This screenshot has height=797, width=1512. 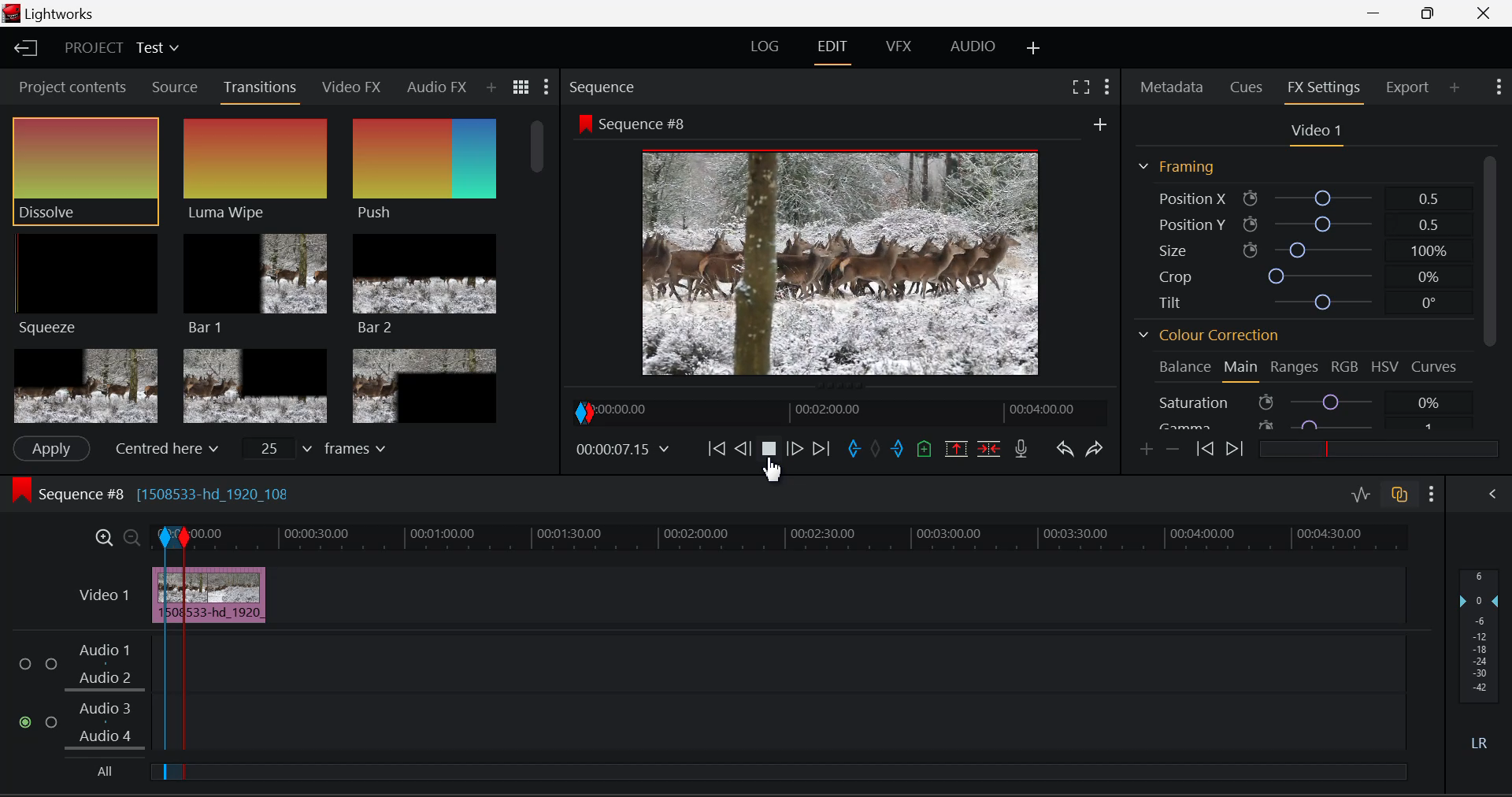 What do you see at coordinates (1172, 88) in the screenshot?
I see `Metadata` at bounding box center [1172, 88].